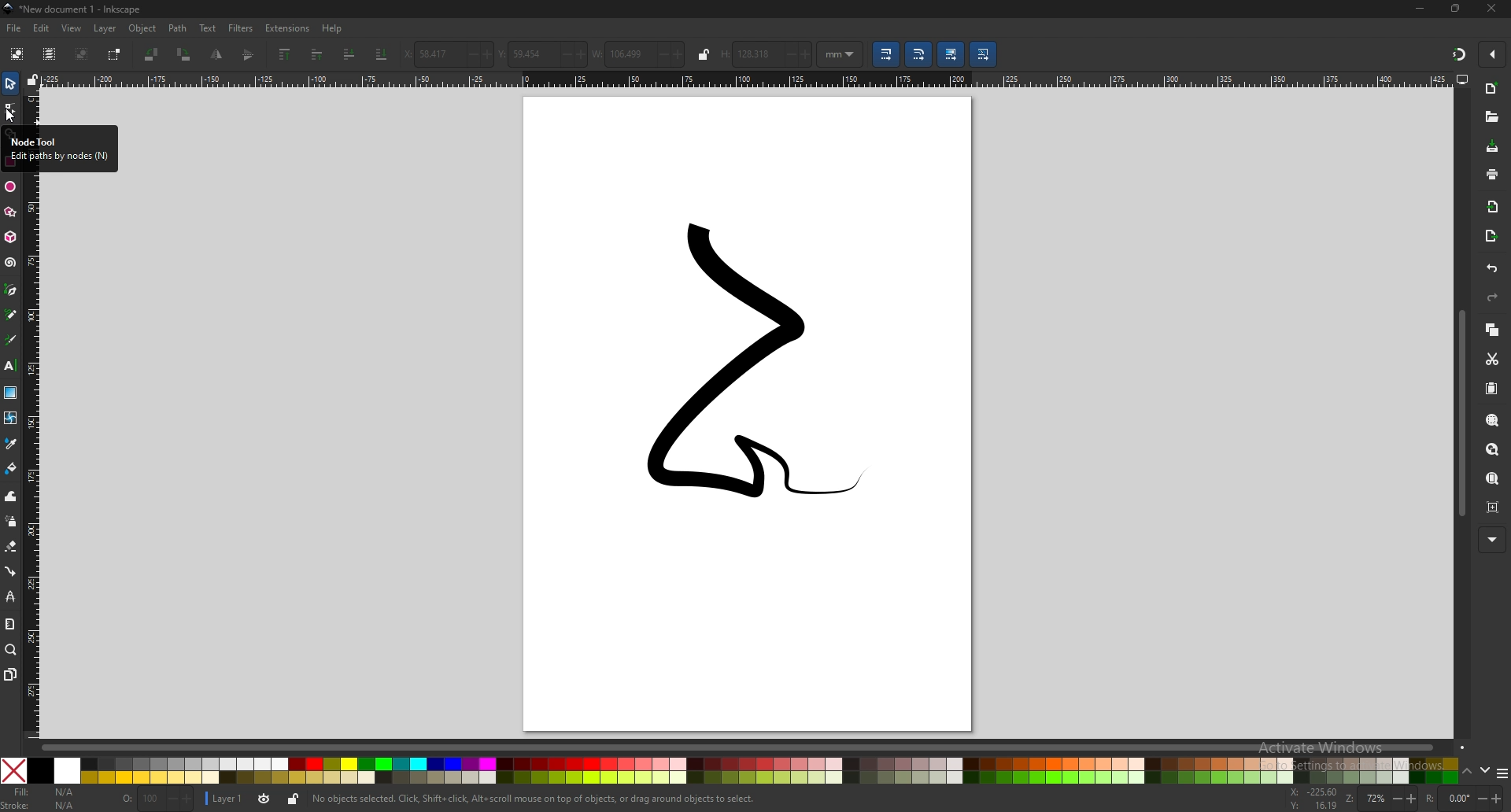 This screenshot has width=1511, height=812. I want to click on fill, so click(43, 792).